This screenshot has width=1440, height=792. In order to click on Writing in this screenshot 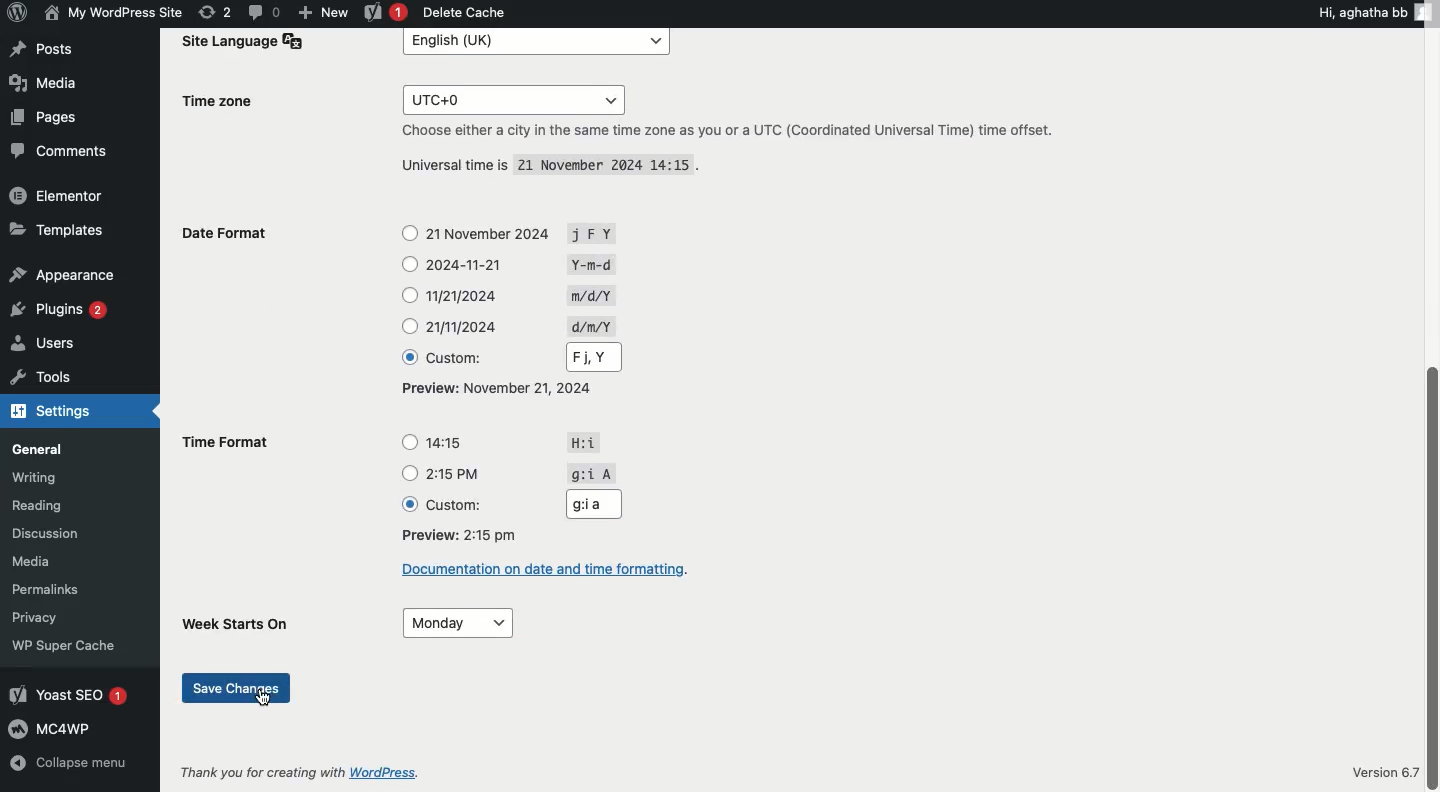, I will do `click(43, 478)`.